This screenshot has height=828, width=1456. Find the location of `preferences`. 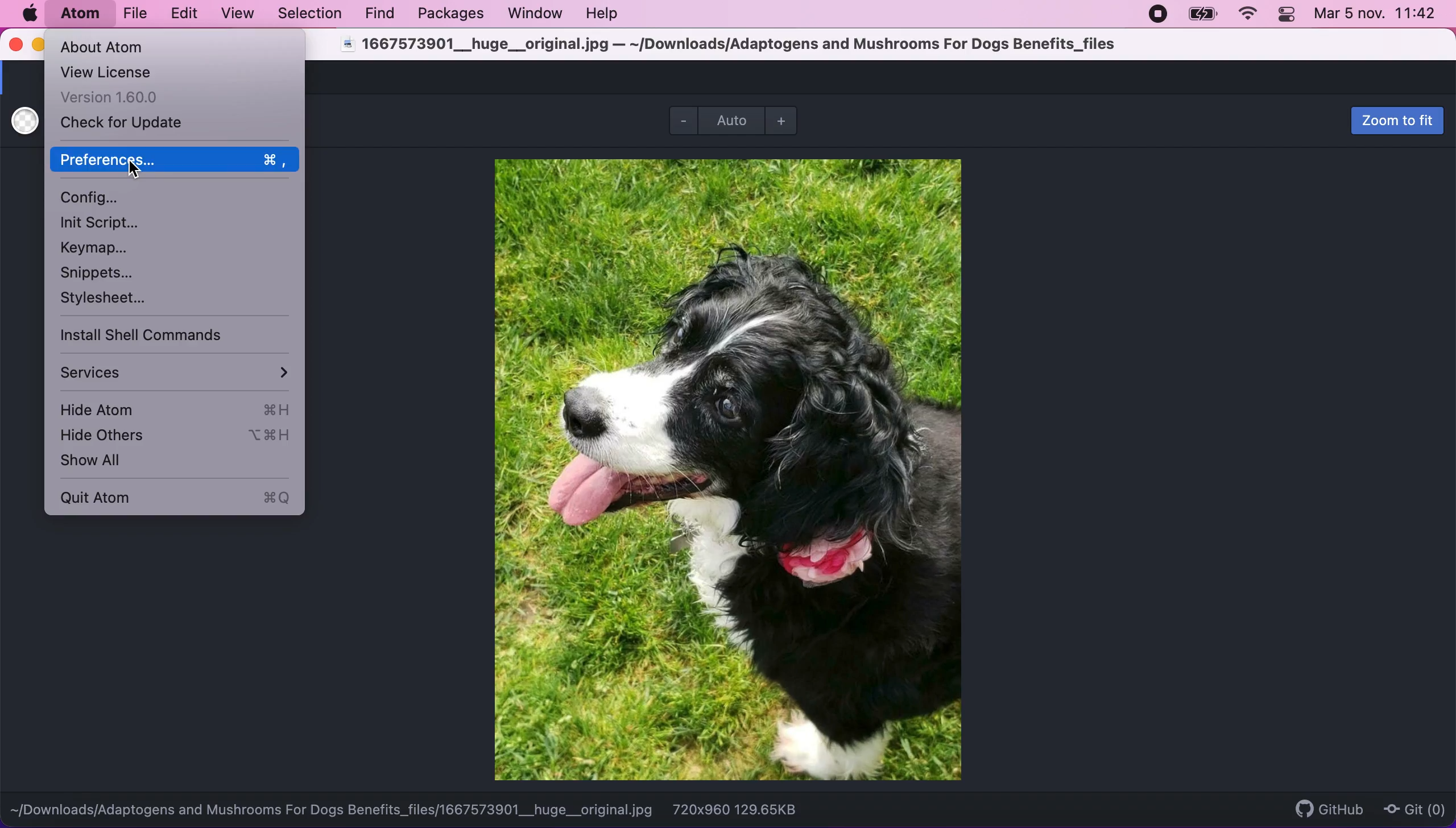

preferences is located at coordinates (176, 159).